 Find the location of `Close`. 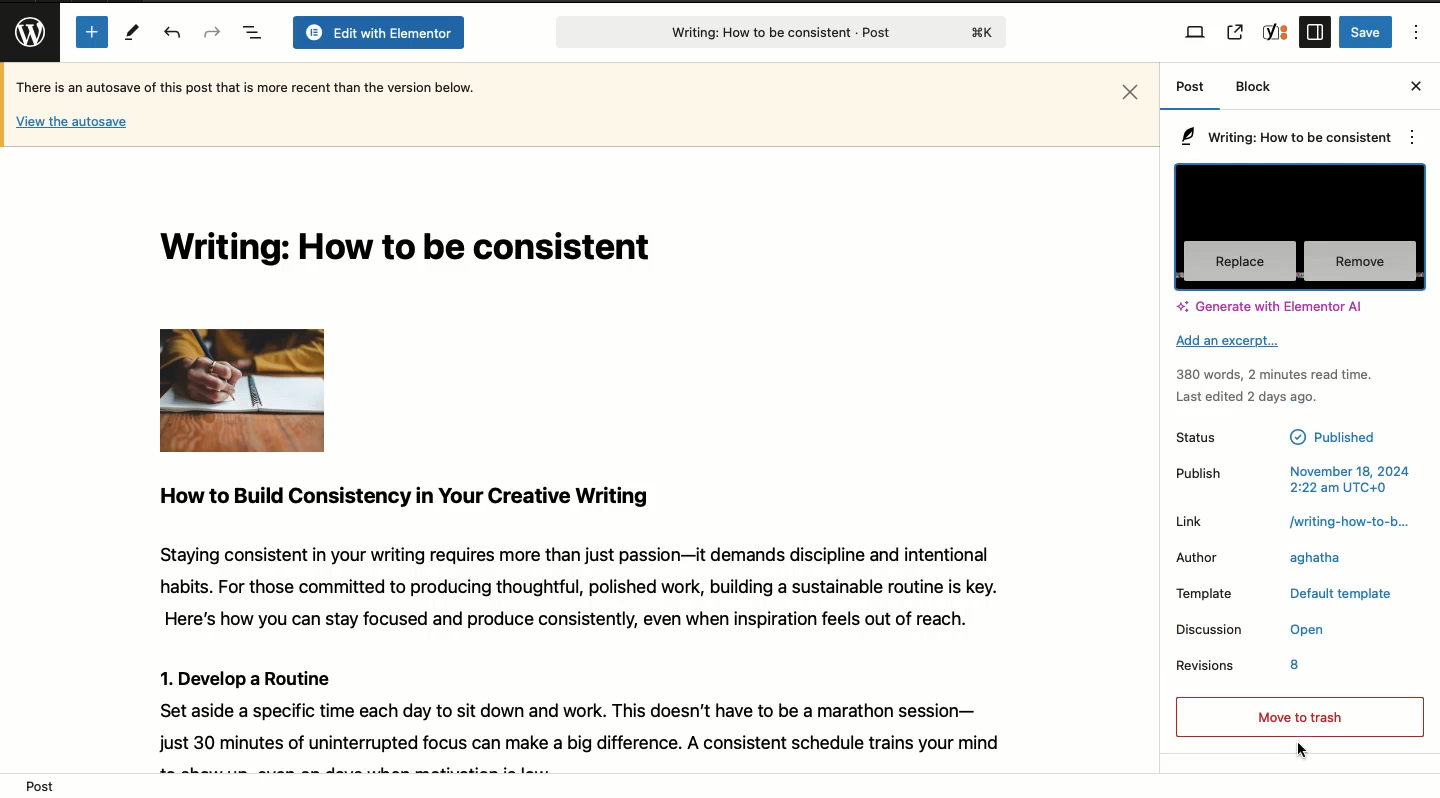

Close is located at coordinates (1416, 85).